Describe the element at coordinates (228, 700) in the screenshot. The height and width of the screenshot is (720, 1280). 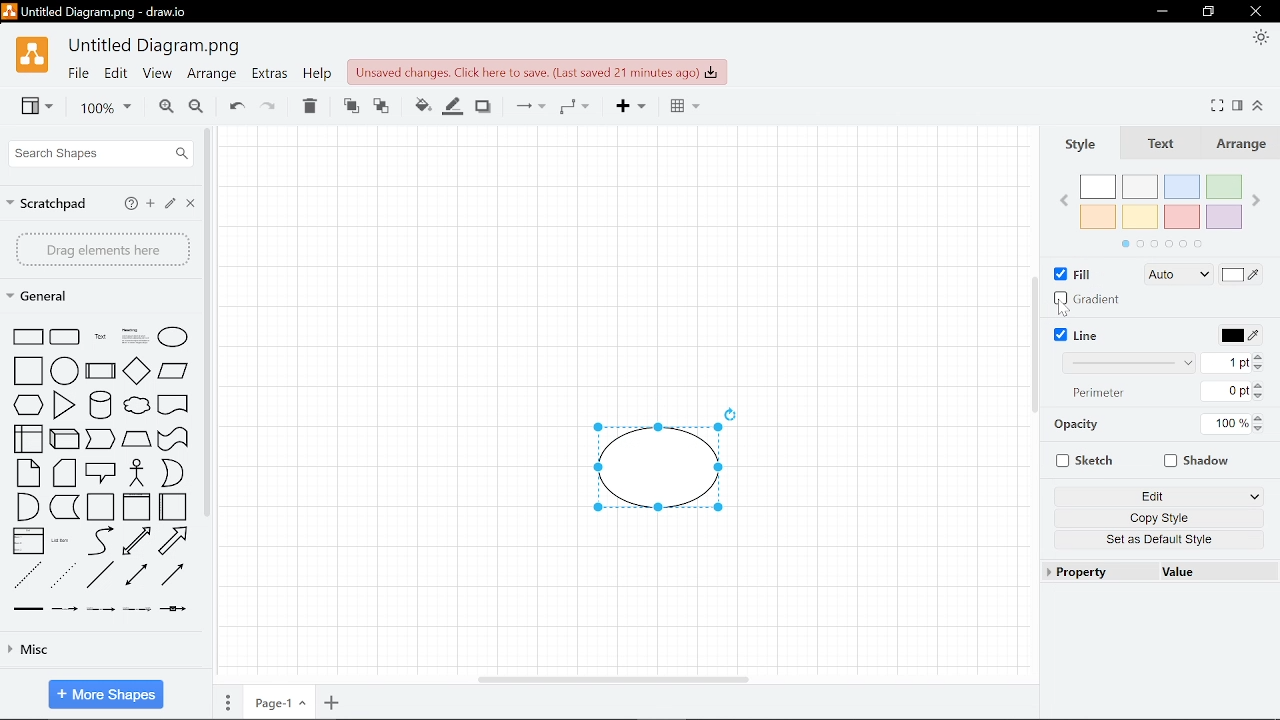
I see `Pages` at that location.